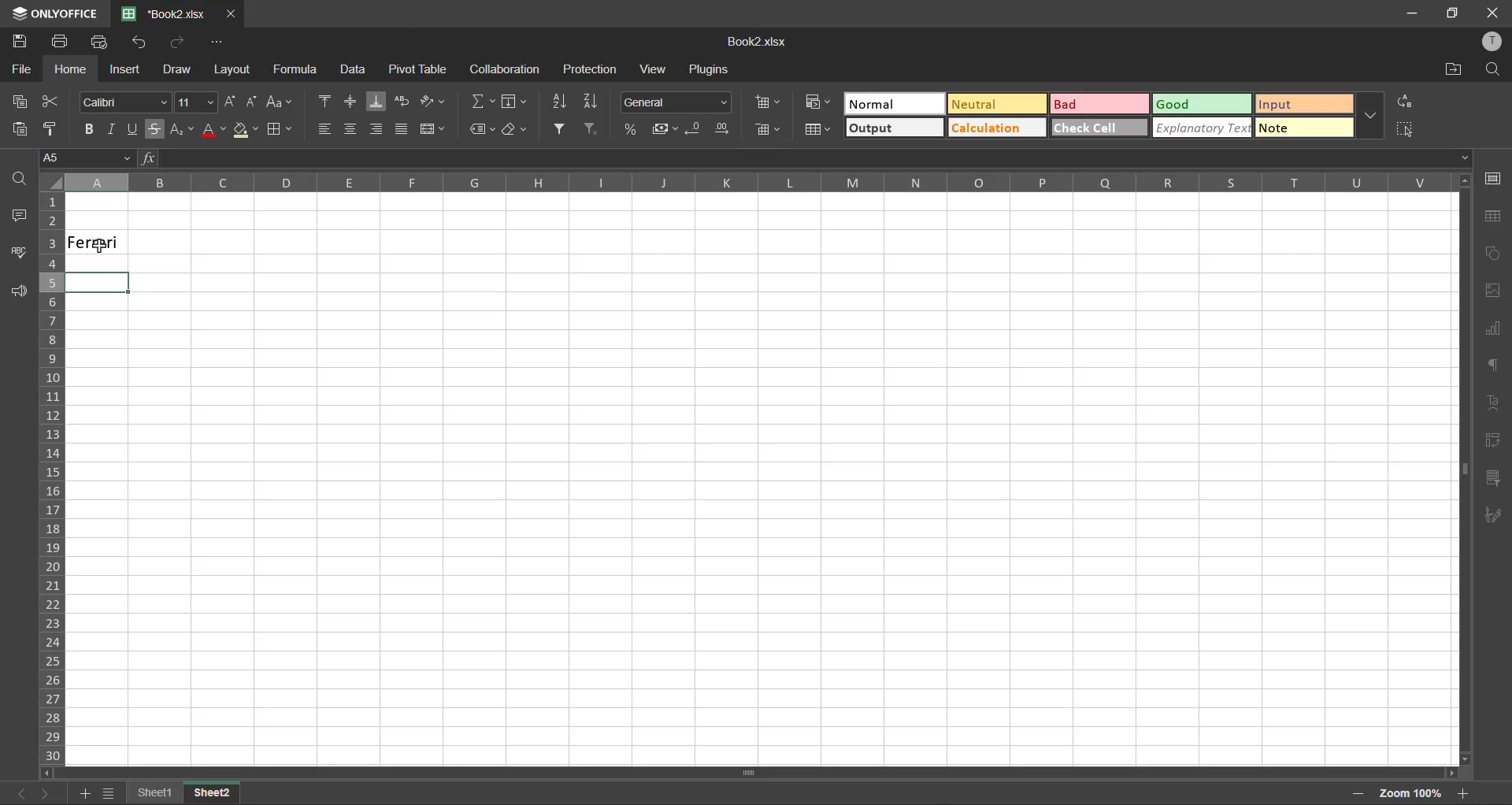 Image resolution: width=1512 pixels, height=805 pixels. I want to click on spellcheck, so click(18, 254).